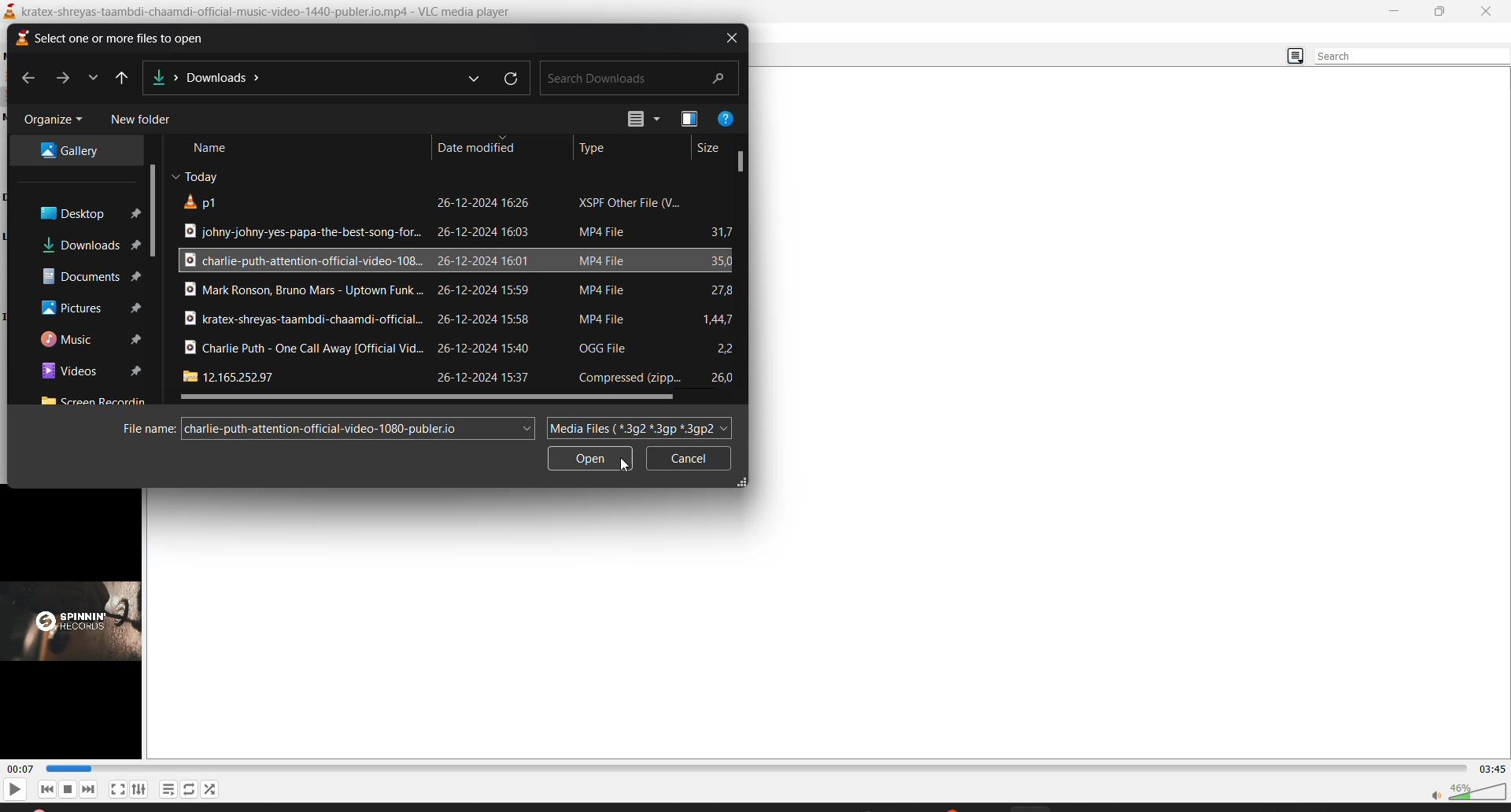  Describe the element at coordinates (322, 430) in the screenshot. I see `filename` at that location.